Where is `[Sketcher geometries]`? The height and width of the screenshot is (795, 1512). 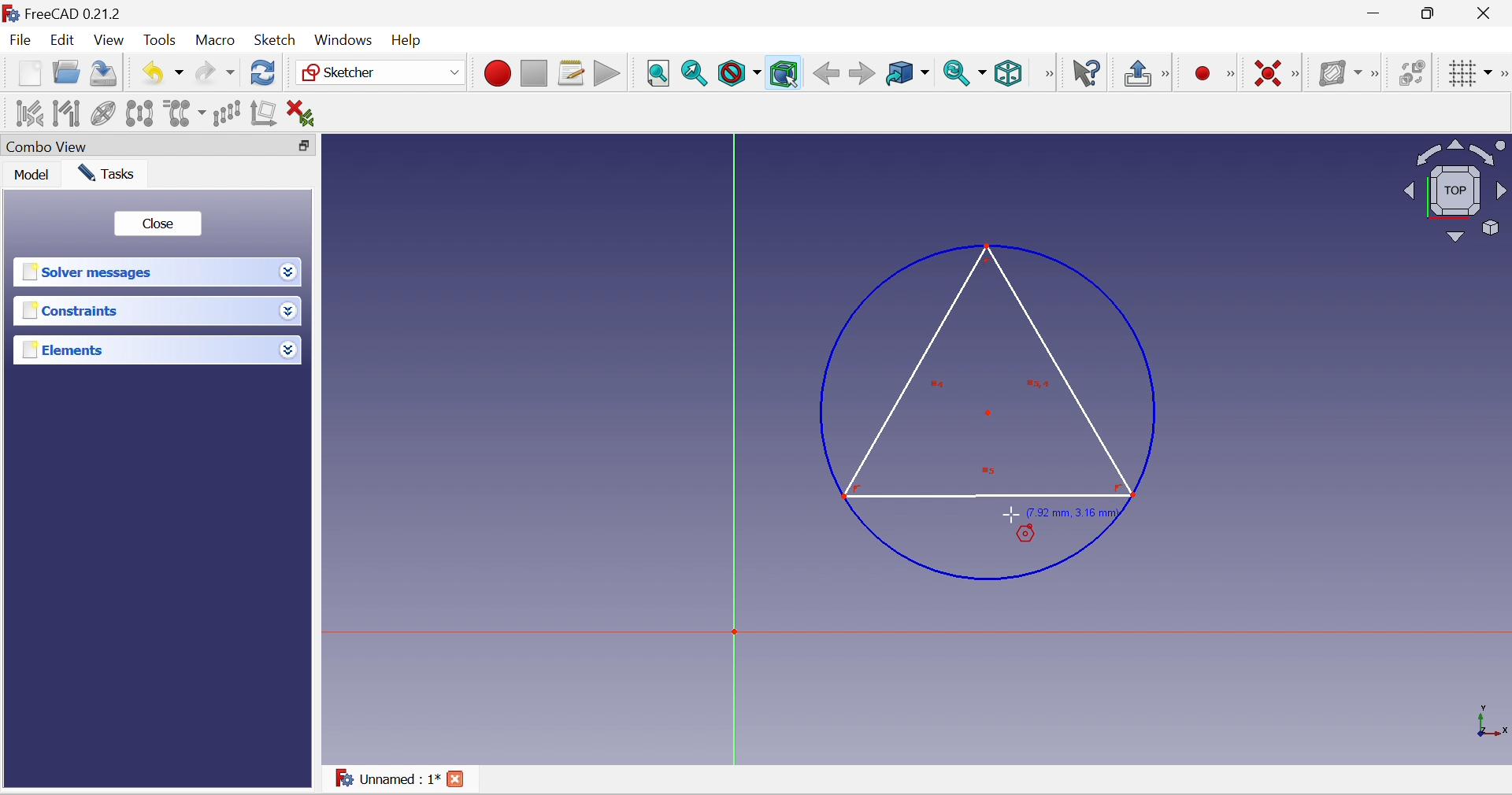
[Sketcher geometries] is located at coordinates (1232, 76).